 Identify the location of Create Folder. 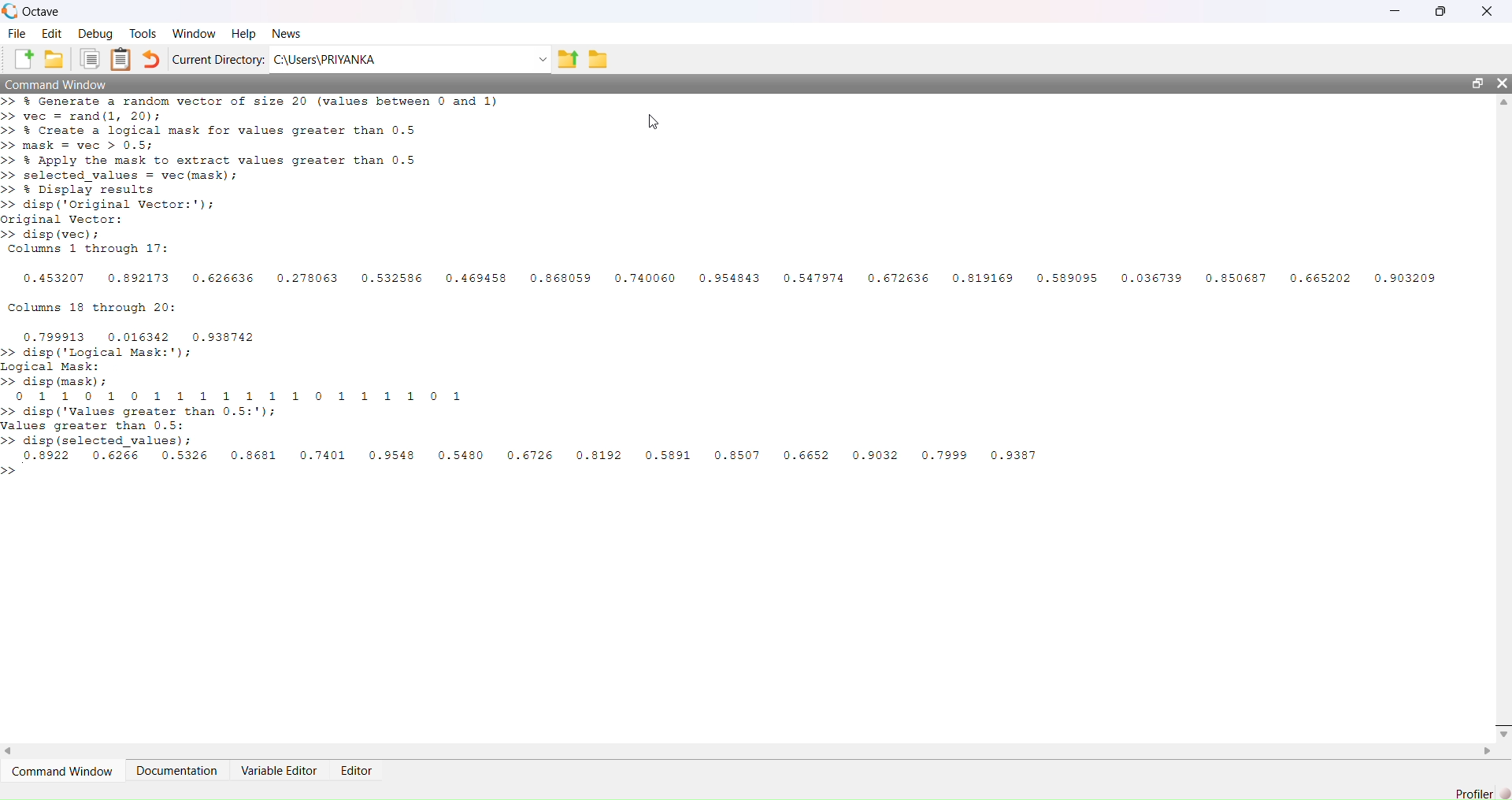
(55, 60).